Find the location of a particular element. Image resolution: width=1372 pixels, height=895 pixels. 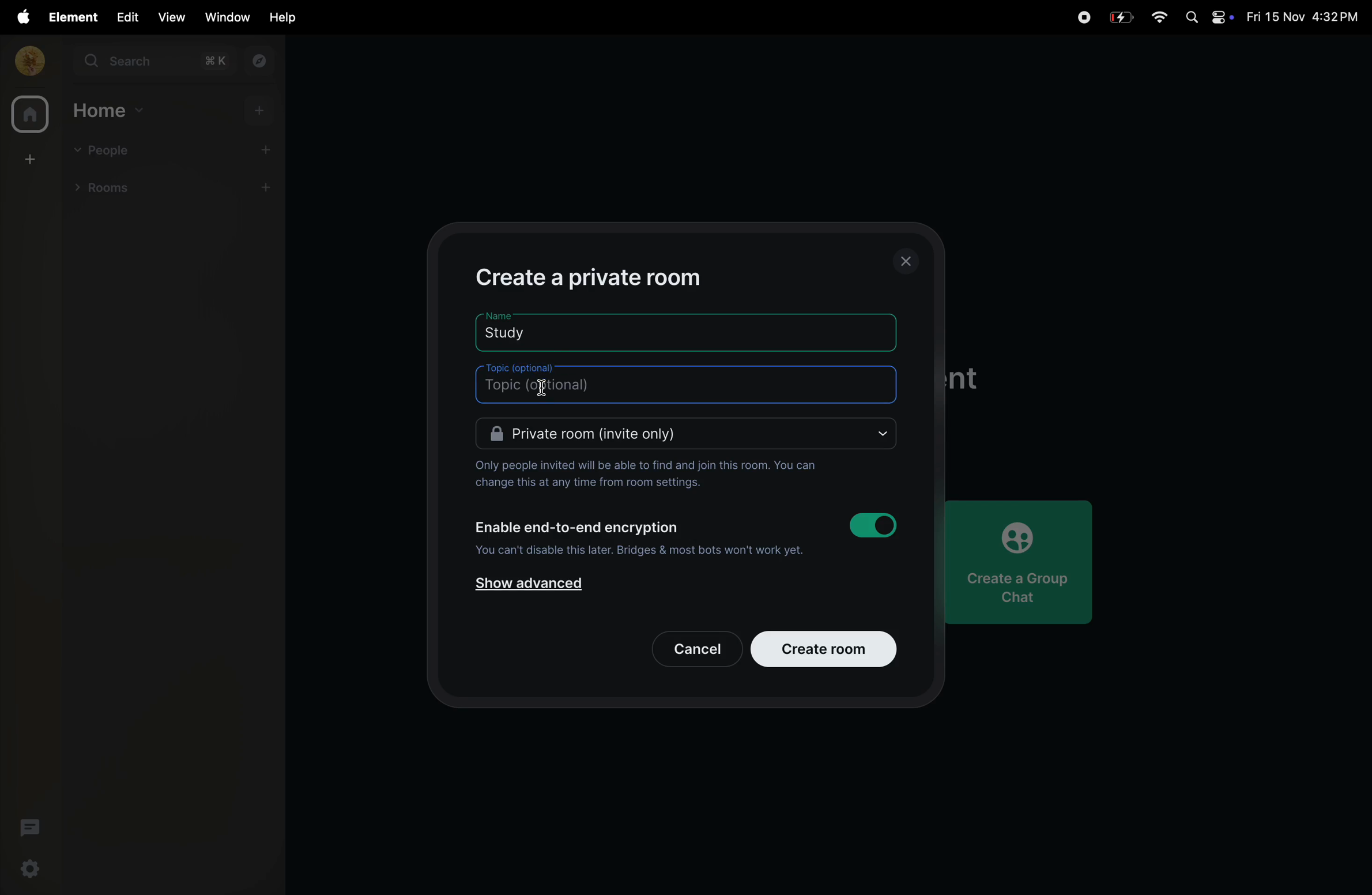

you cannot disabole it later is located at coordinates (638, 552).